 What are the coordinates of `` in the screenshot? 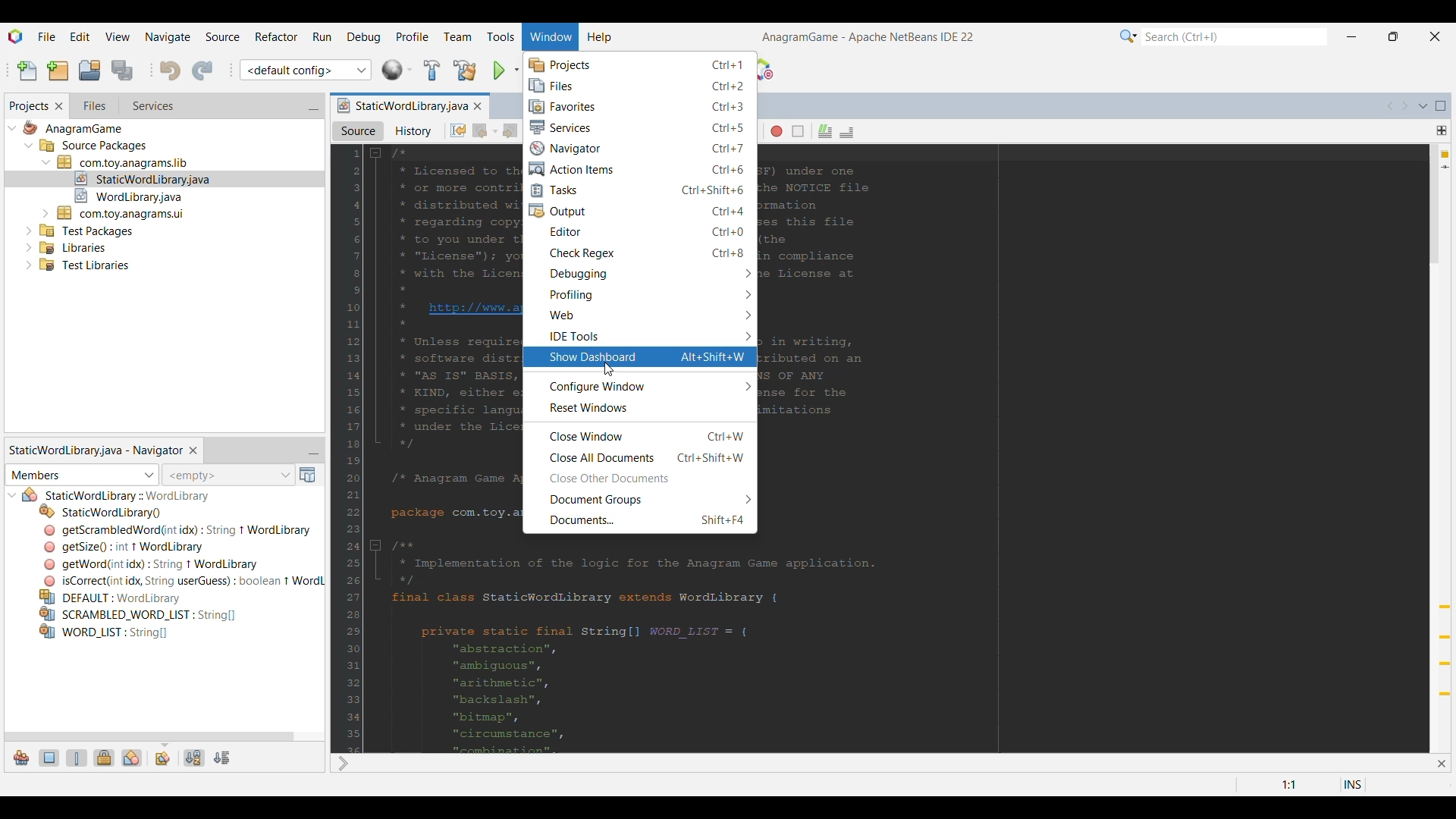 It's located at (178, 530).